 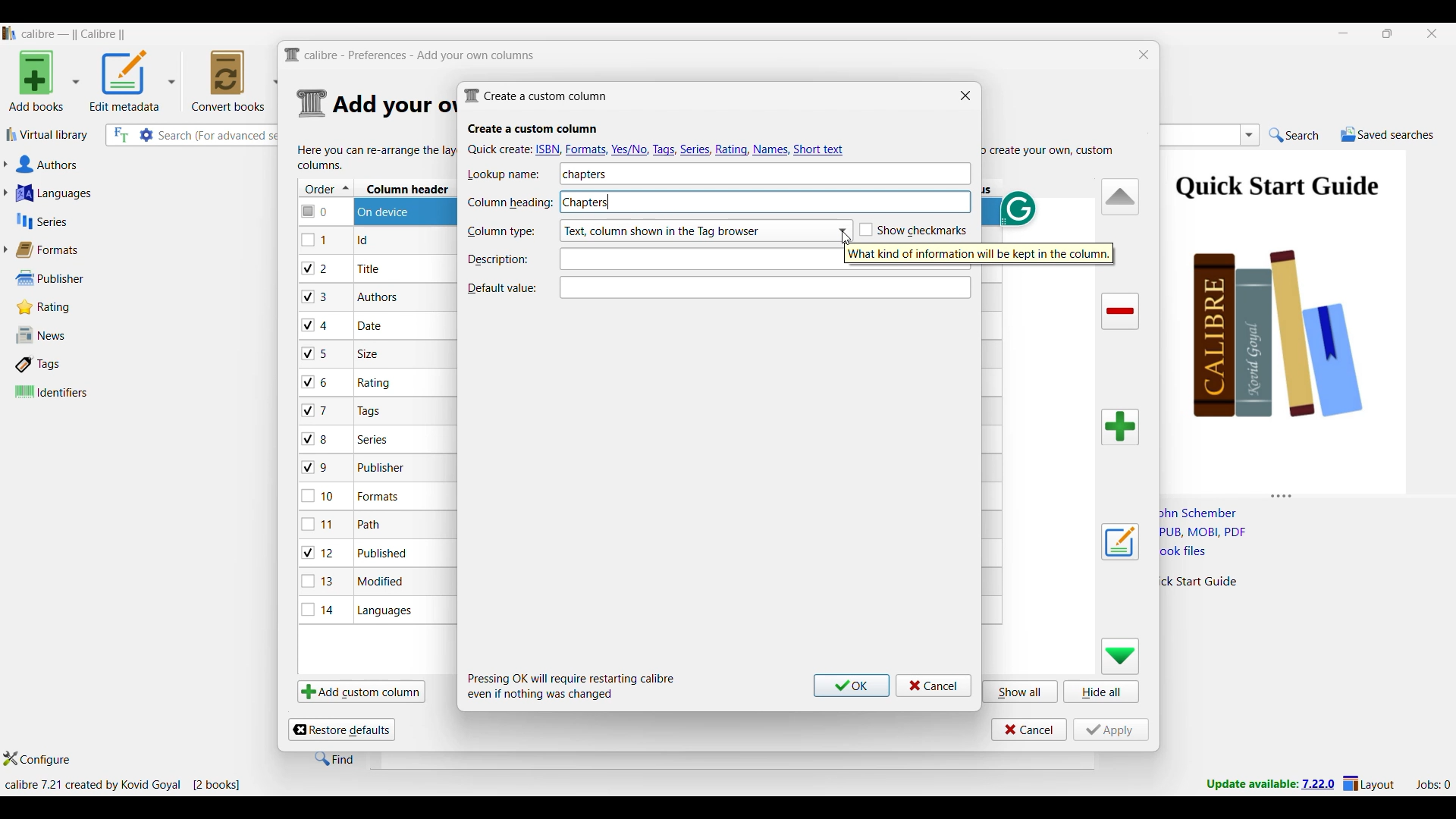 I want to click on Indicates Column type text box, so click(x=500, y=232).